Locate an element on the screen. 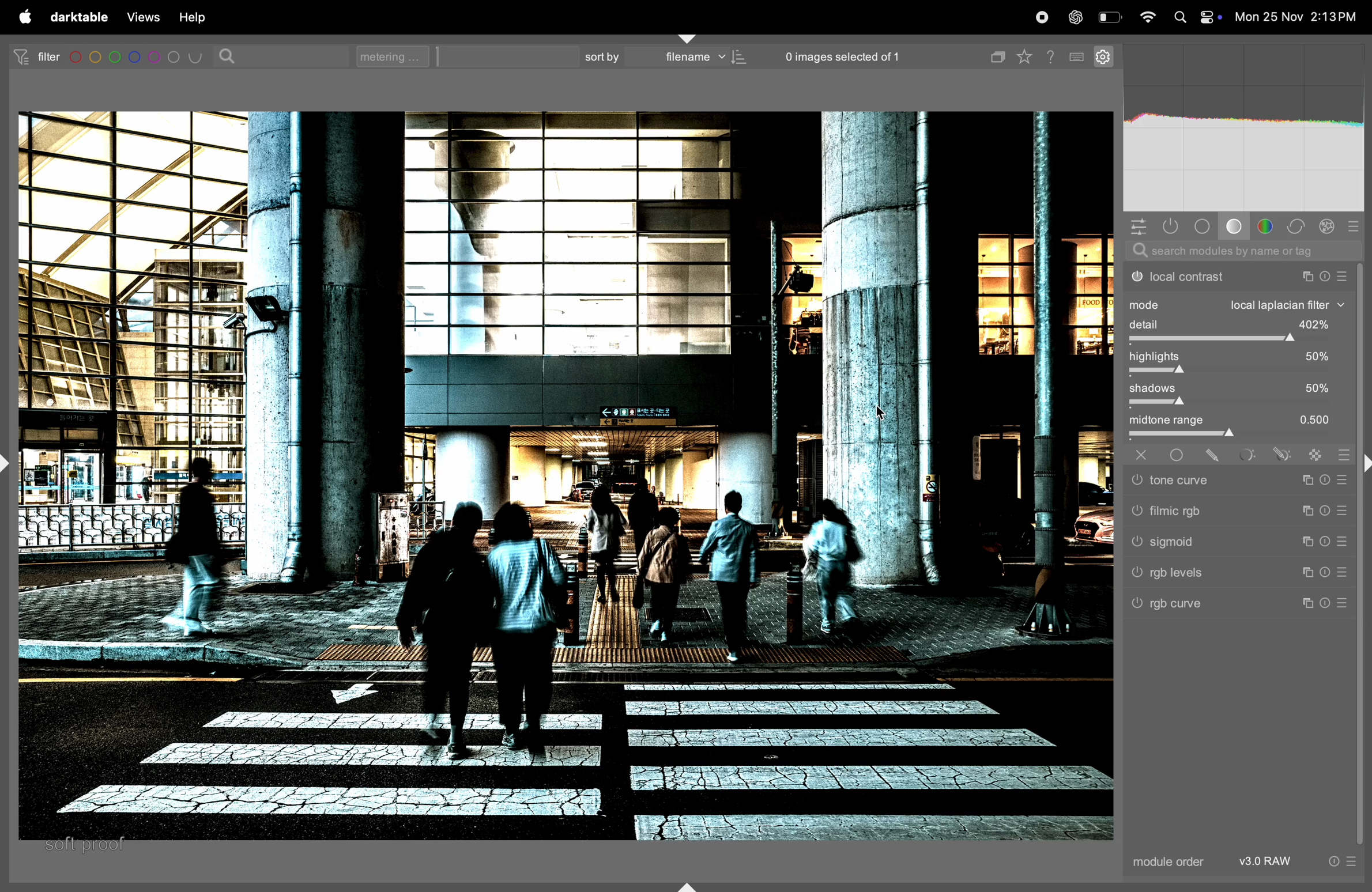  reset is located at coordinates (1326, 509).